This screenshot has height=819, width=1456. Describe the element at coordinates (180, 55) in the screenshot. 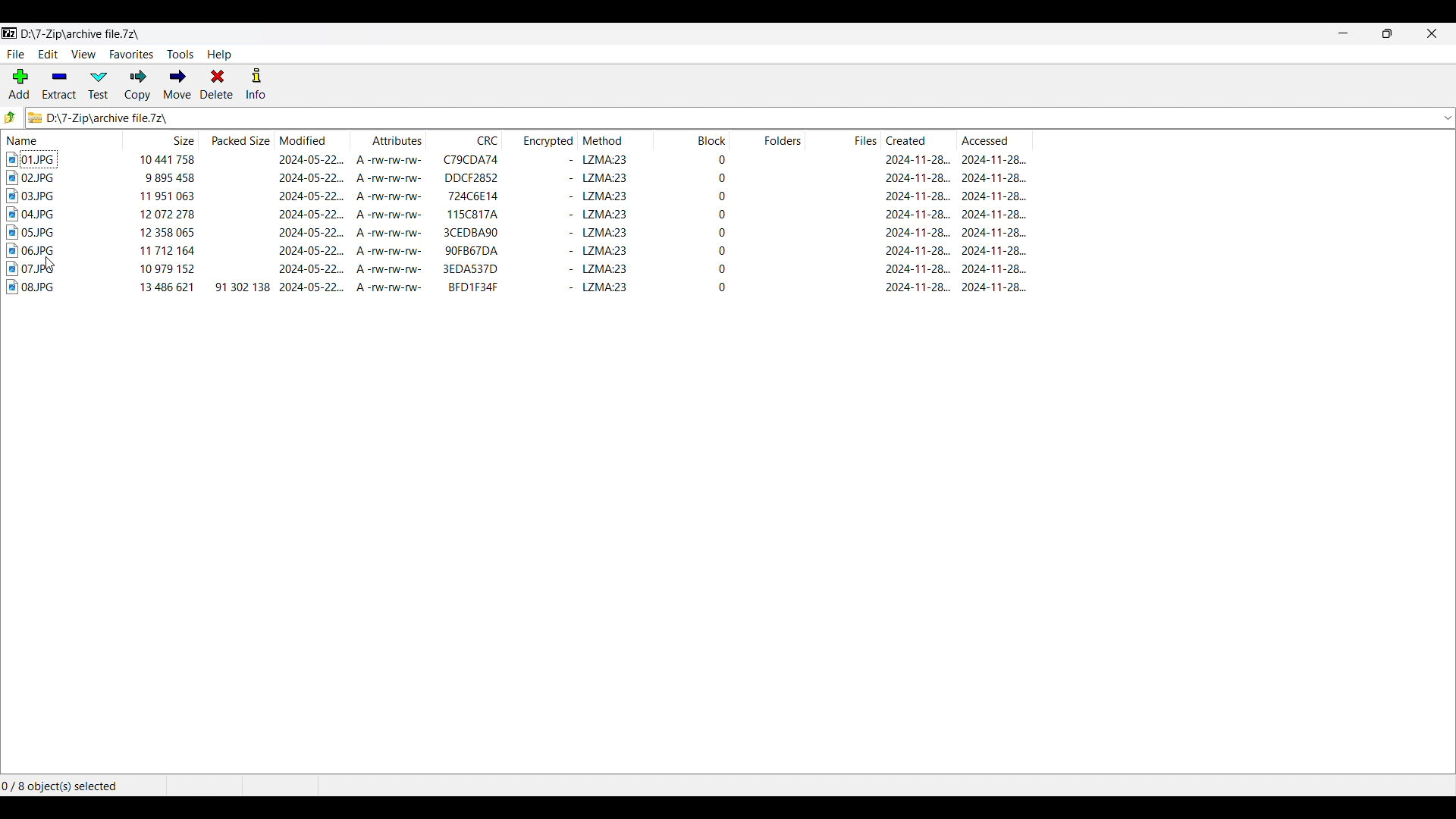

I see `Tools menu` at that location.